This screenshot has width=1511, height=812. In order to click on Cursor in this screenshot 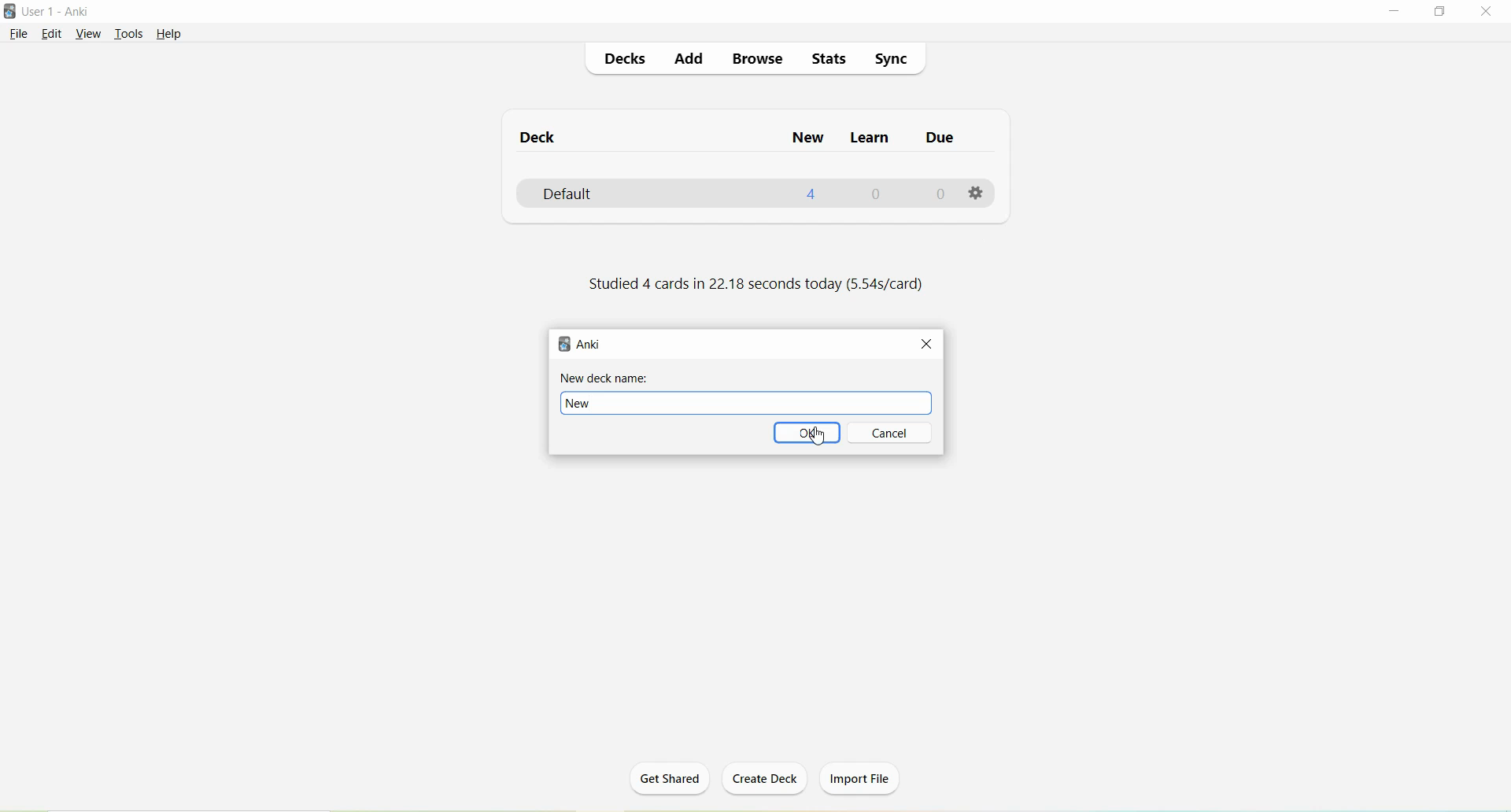, I will do `click(821, 440)`.